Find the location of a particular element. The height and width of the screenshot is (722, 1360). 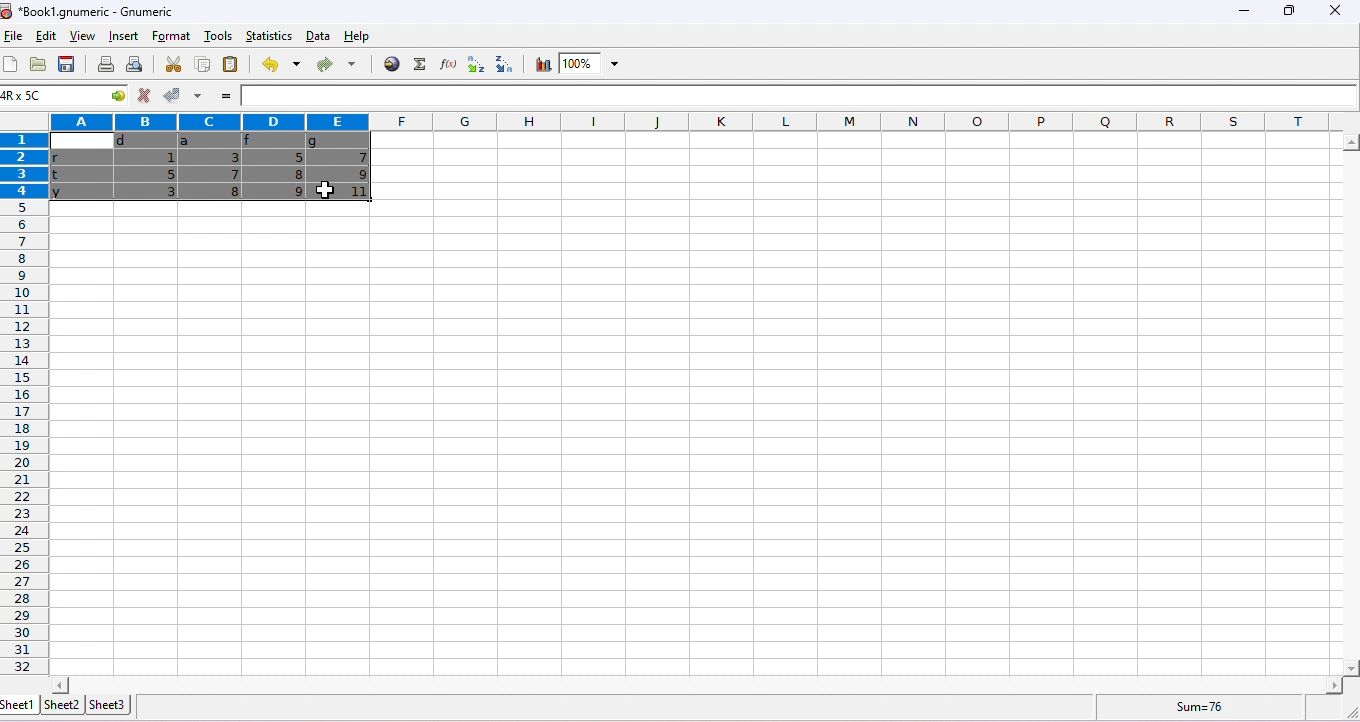

cursor movement is located at coordinates (329, 190).